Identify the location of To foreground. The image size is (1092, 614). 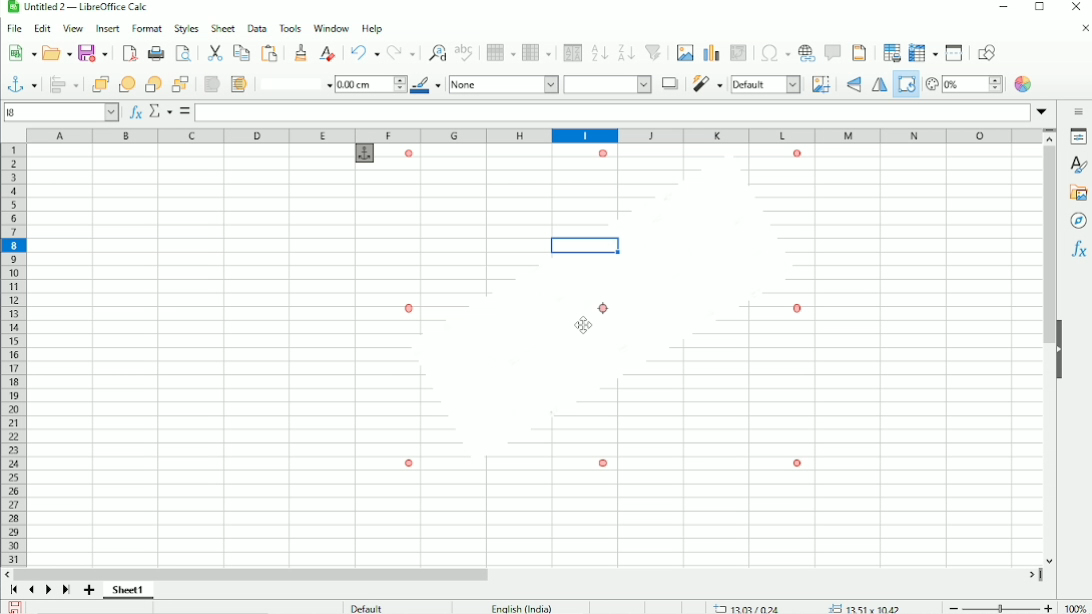
(212, 84).